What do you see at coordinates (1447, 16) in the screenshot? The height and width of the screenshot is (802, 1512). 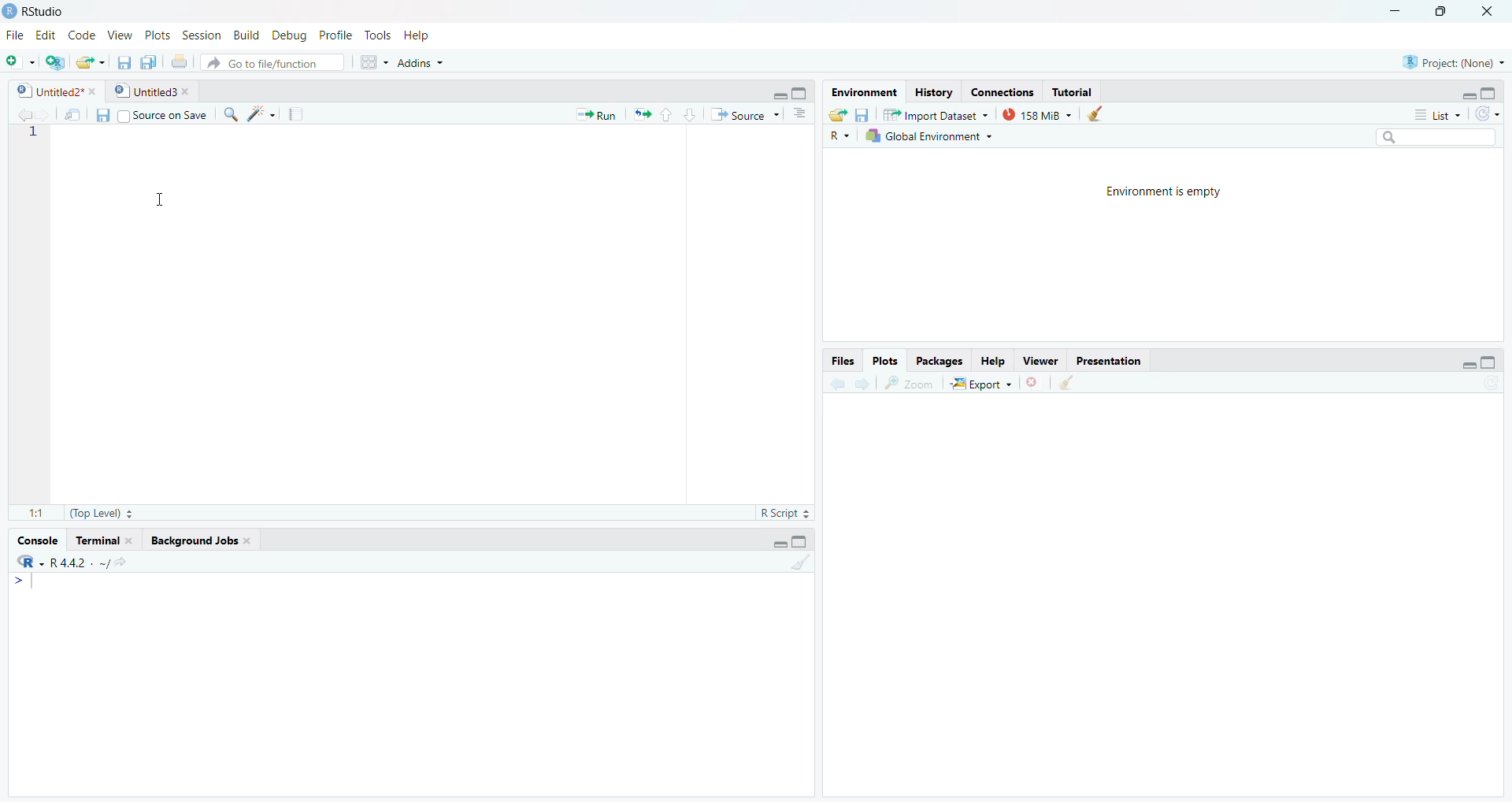 I see `Maximize` at bounding box center [1447, 16].